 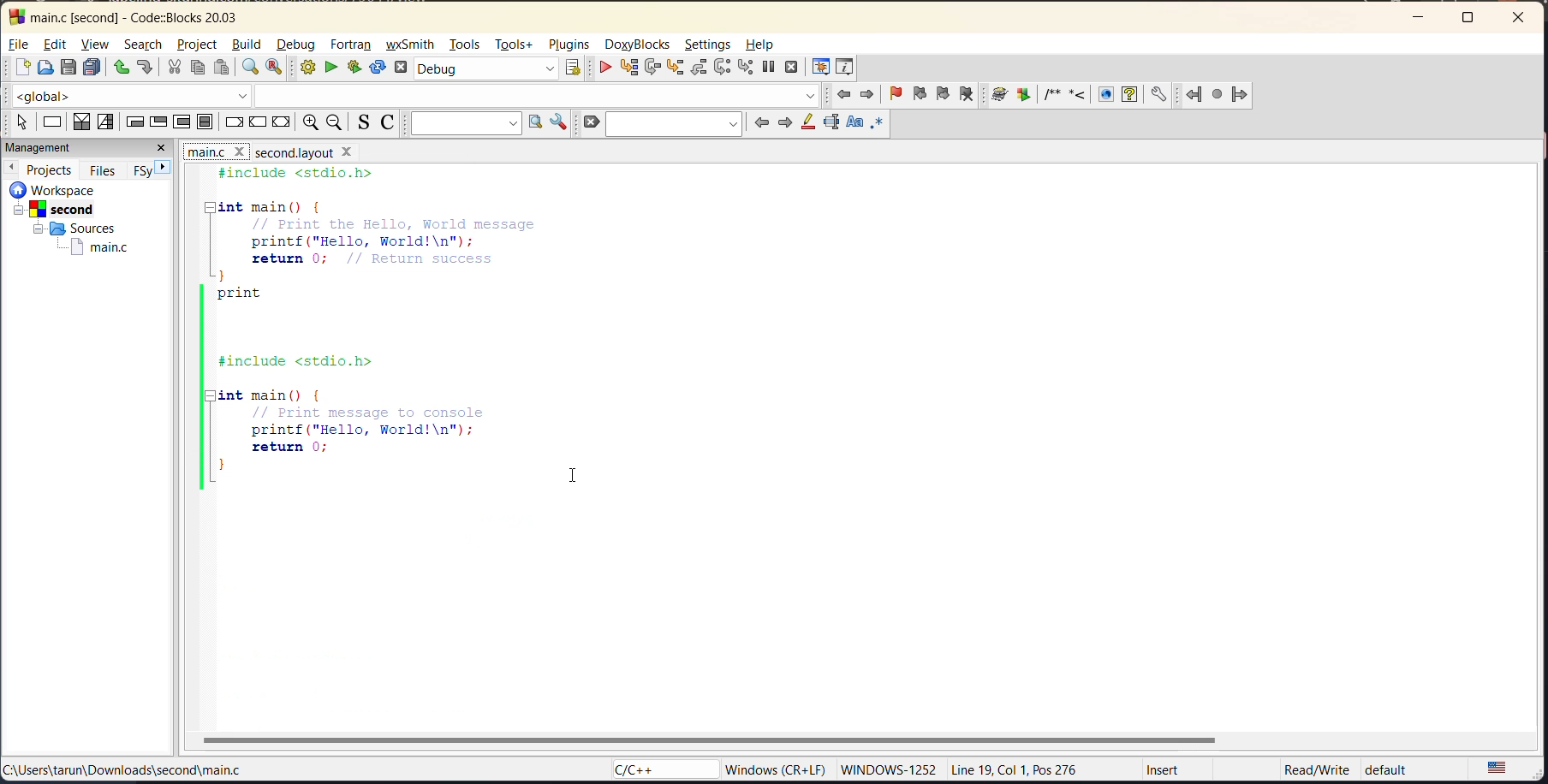 What do you see at coordinates (793, 69) in the screenshot?
I see `stop debugger` at bounding box center [793, 69].